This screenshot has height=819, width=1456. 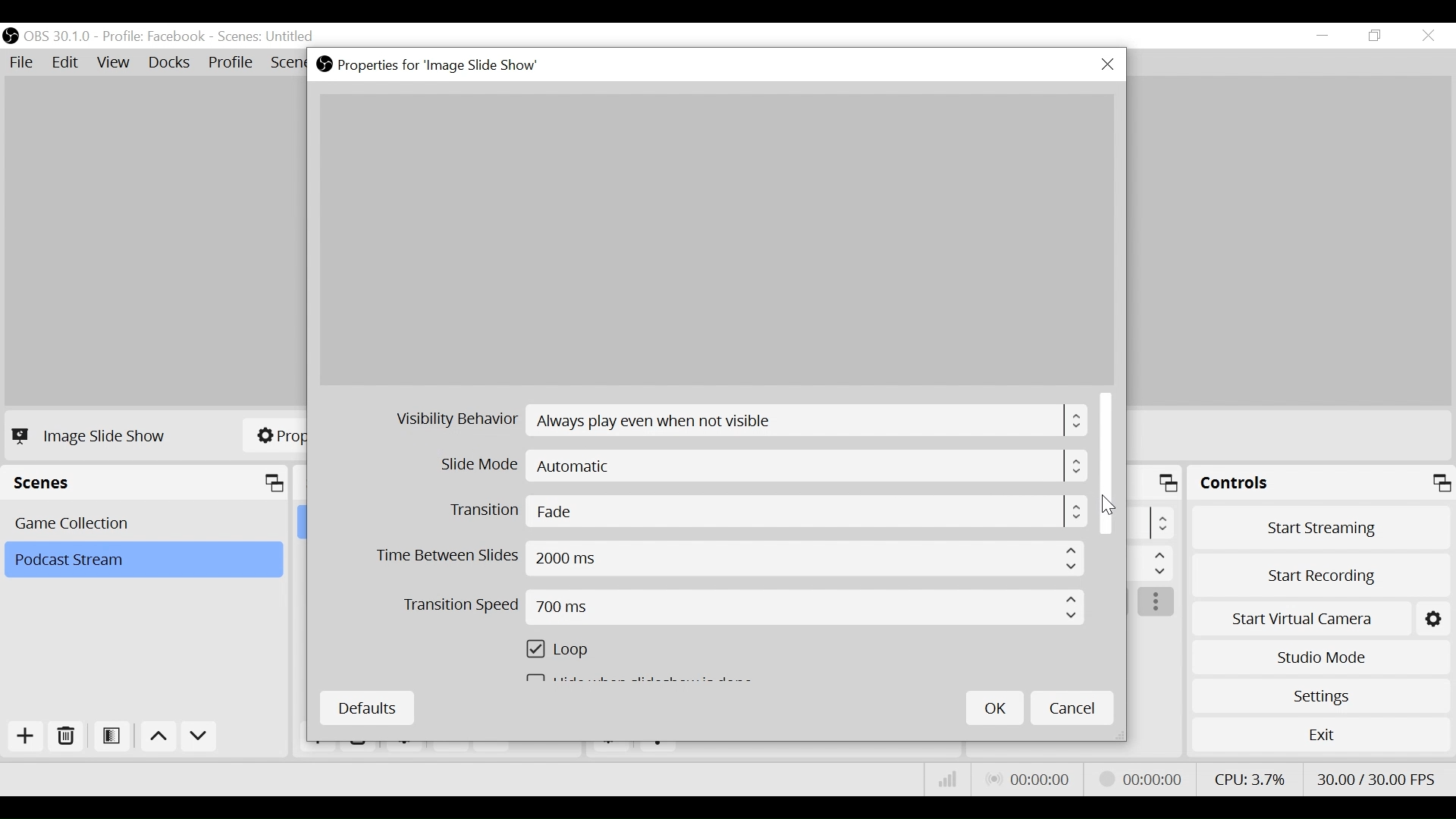 I want to click on (un)select loop, so click(x=565, y=651).